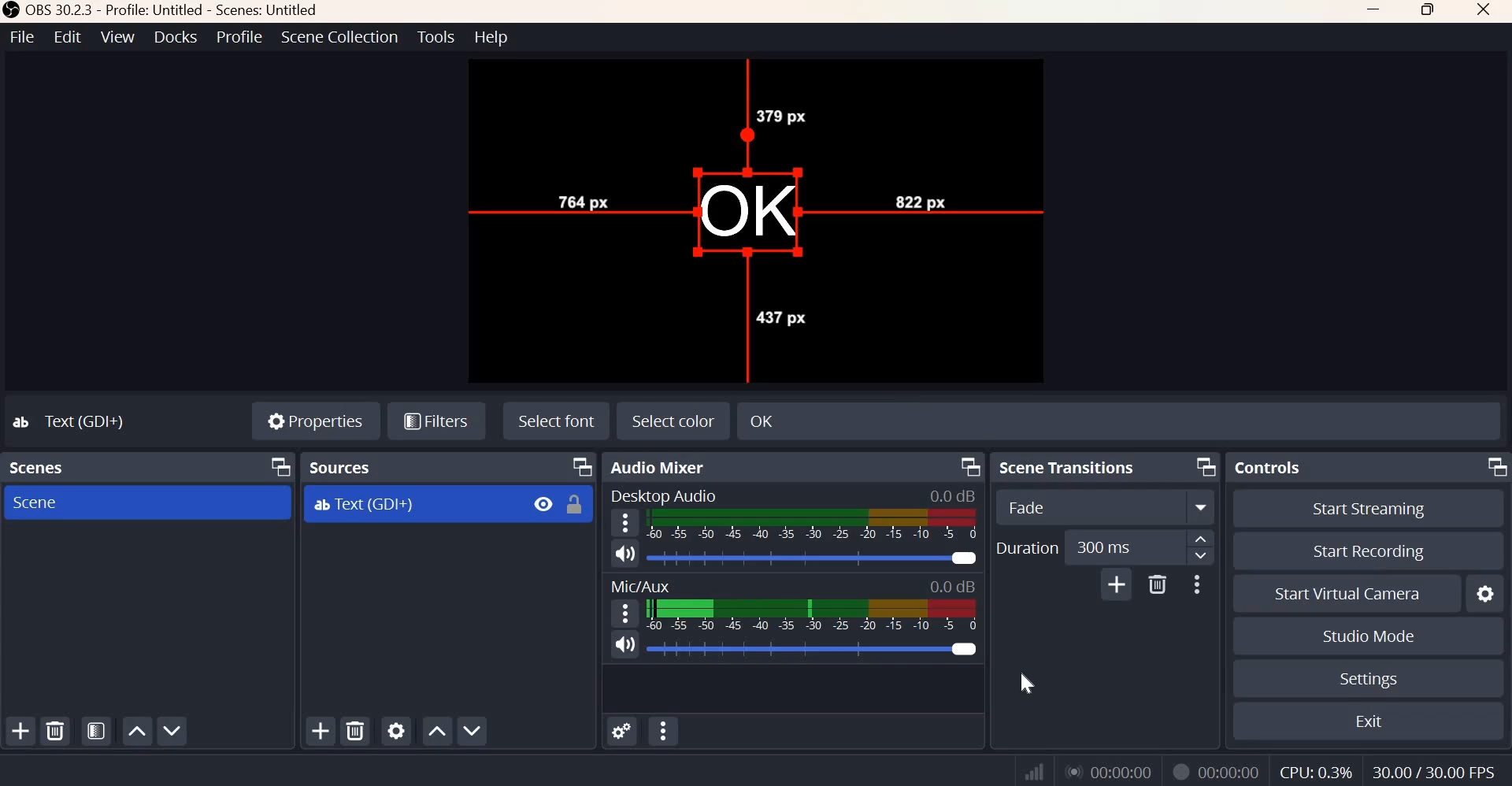 The height and width of the screenshot is (786, 1512). Describe the element at coordinates (1157, 584) in the screenshot. I see `Delete Transition` at that location.